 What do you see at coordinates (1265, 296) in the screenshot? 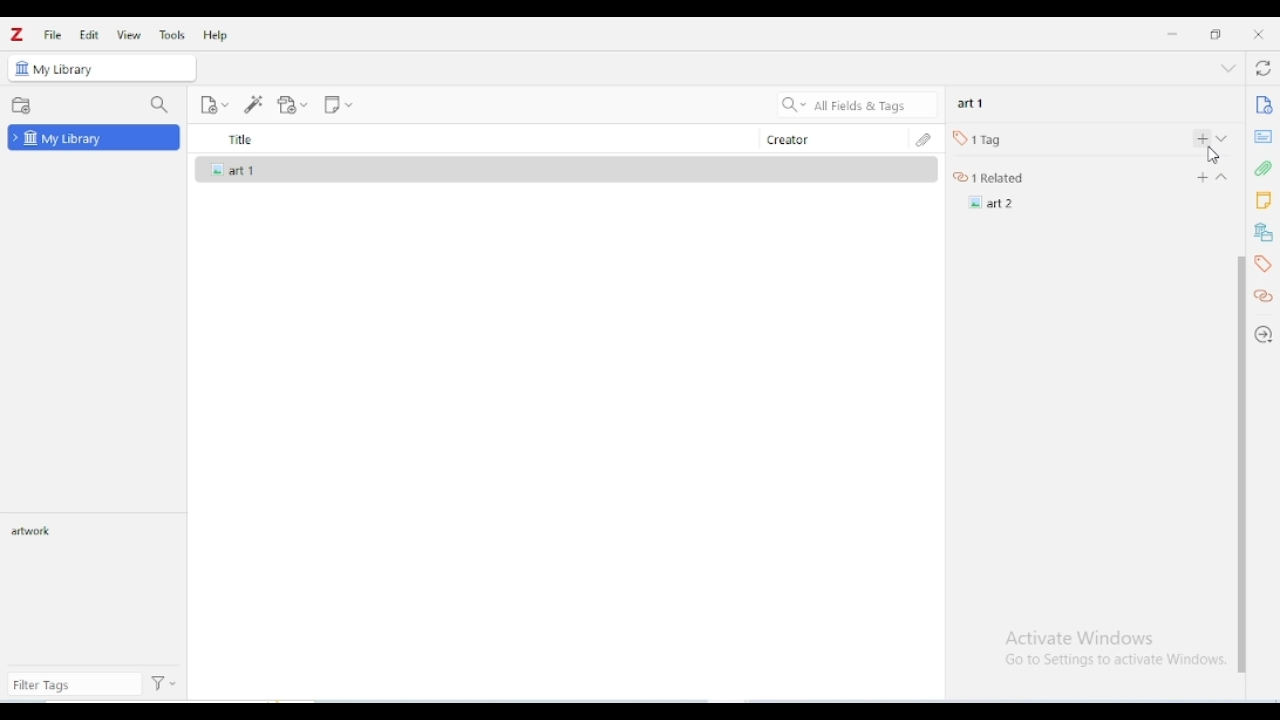
I see `related` at bounding box center [1265, 296].